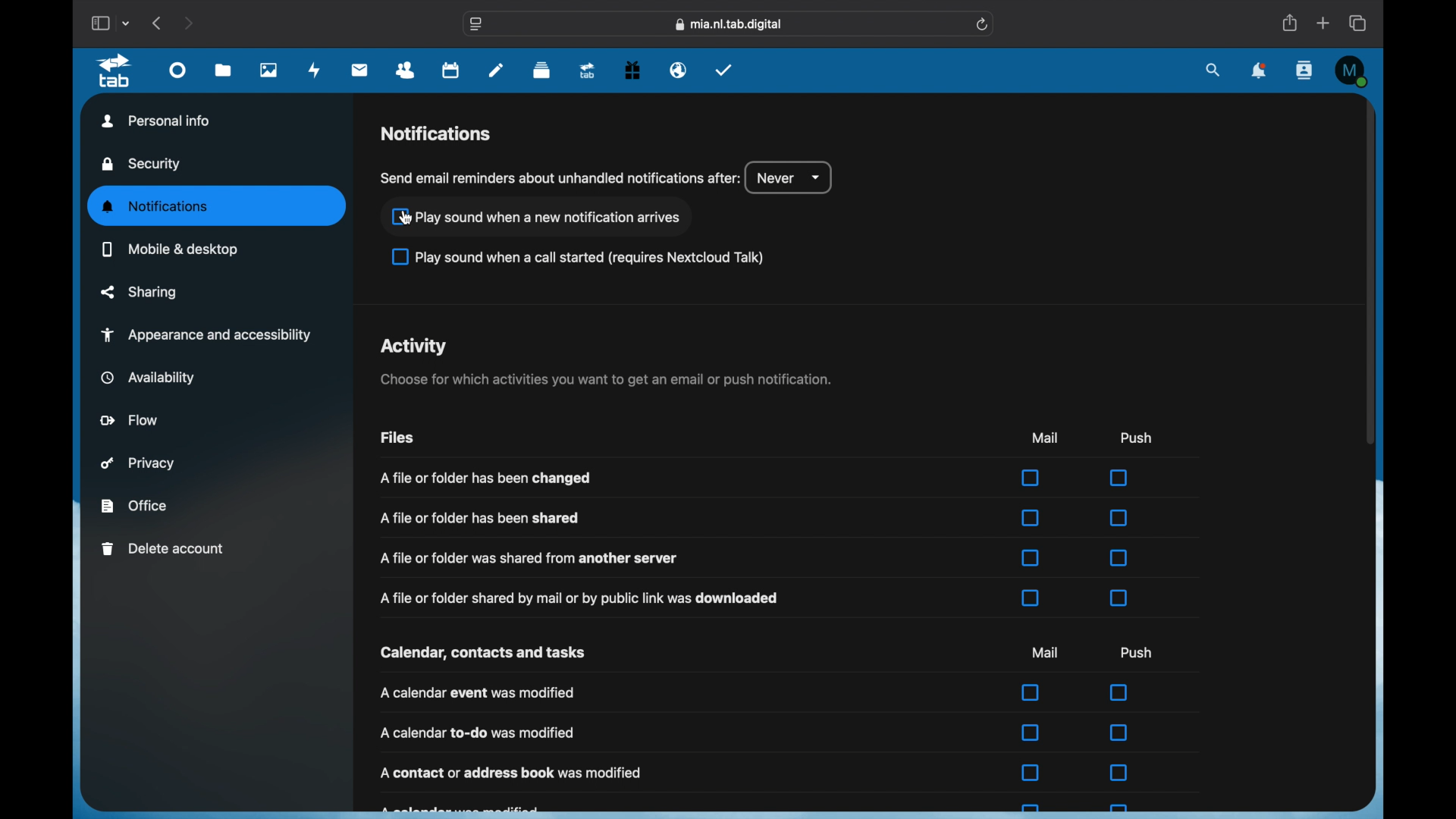  Describe the element at coordinates (1359, 23) in the screenshot. I see `show tab overview` at that location.